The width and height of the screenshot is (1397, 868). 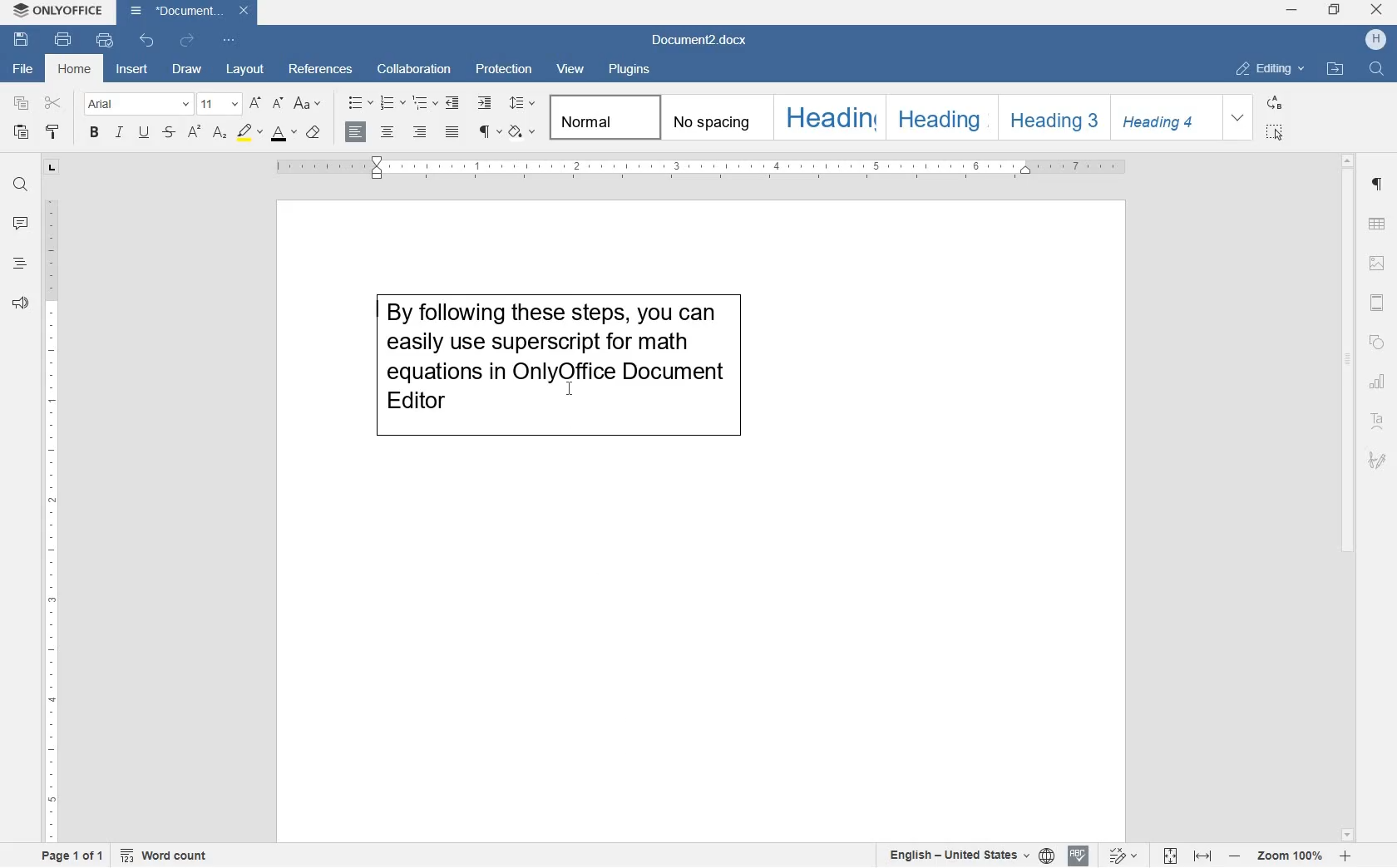 I want to click on highlight color, so click(x=249, y=133).